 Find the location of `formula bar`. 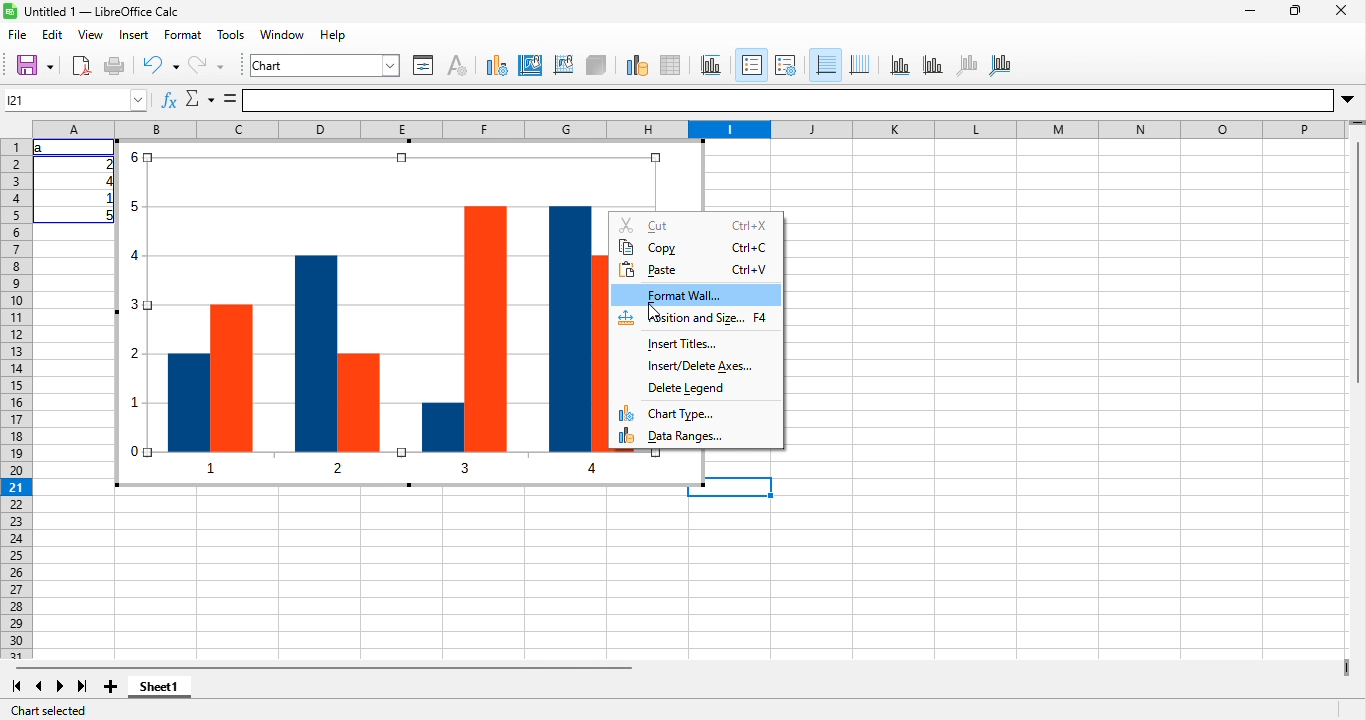

formula bar is located at coordinates (788, 101).